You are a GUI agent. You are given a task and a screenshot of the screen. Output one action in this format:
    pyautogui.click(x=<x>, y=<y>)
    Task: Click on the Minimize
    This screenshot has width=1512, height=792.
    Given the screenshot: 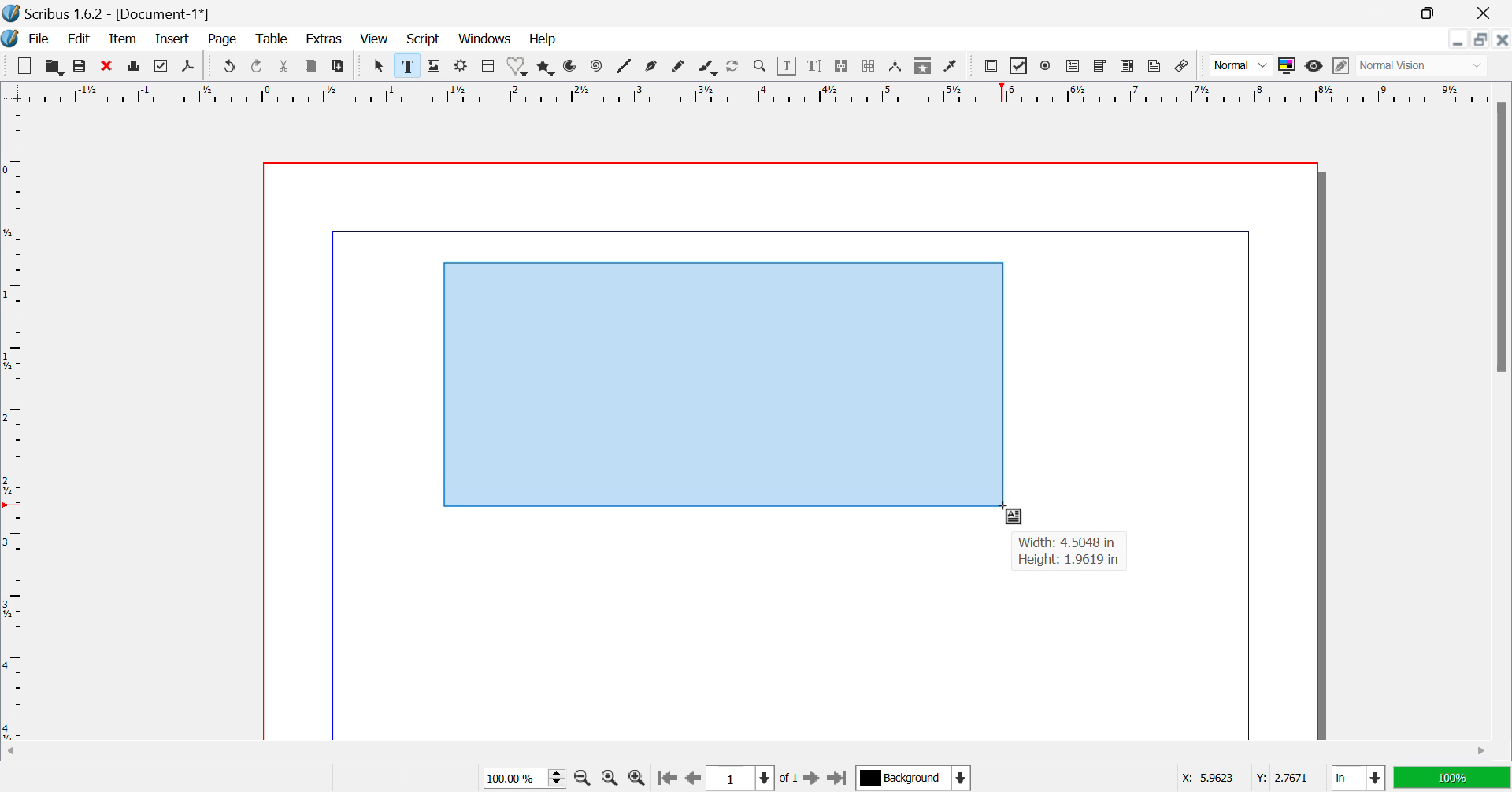 What is the action you would take?
    pyautogui.click(x=1429, y=12)
    